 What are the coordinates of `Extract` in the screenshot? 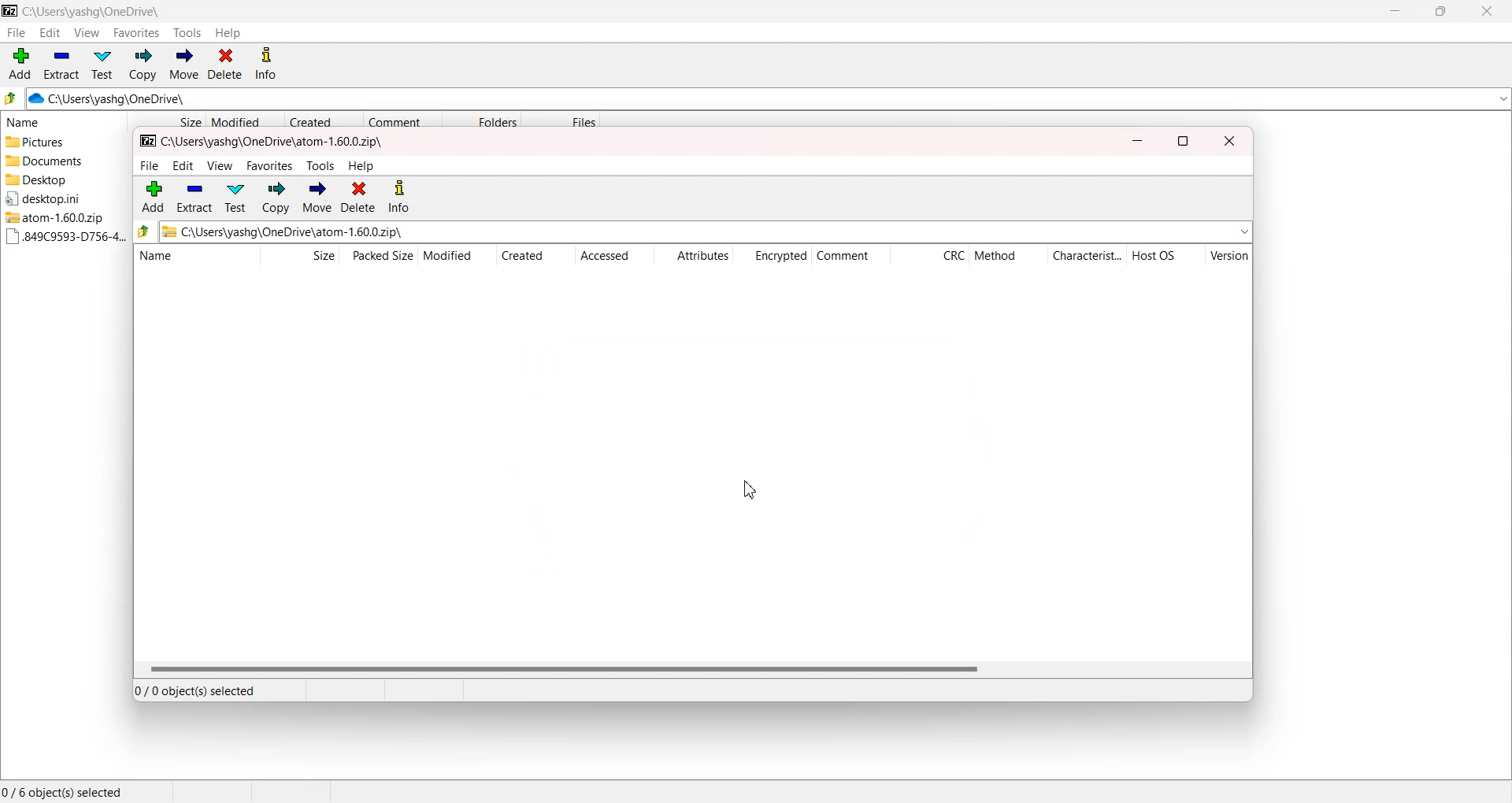 It's located at (61, 64).